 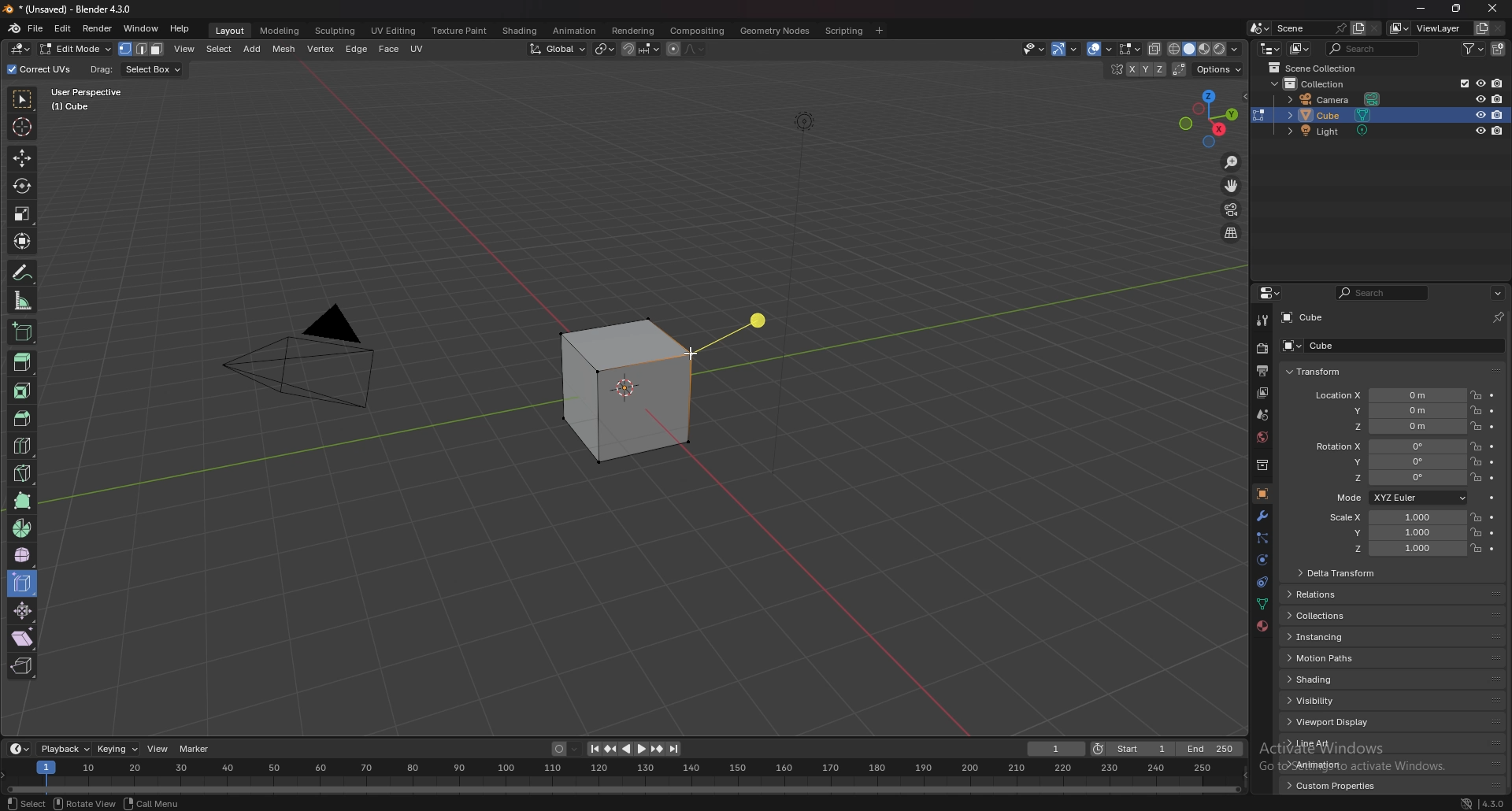 I want to click on disable in render, so click(x=1499, y=114).